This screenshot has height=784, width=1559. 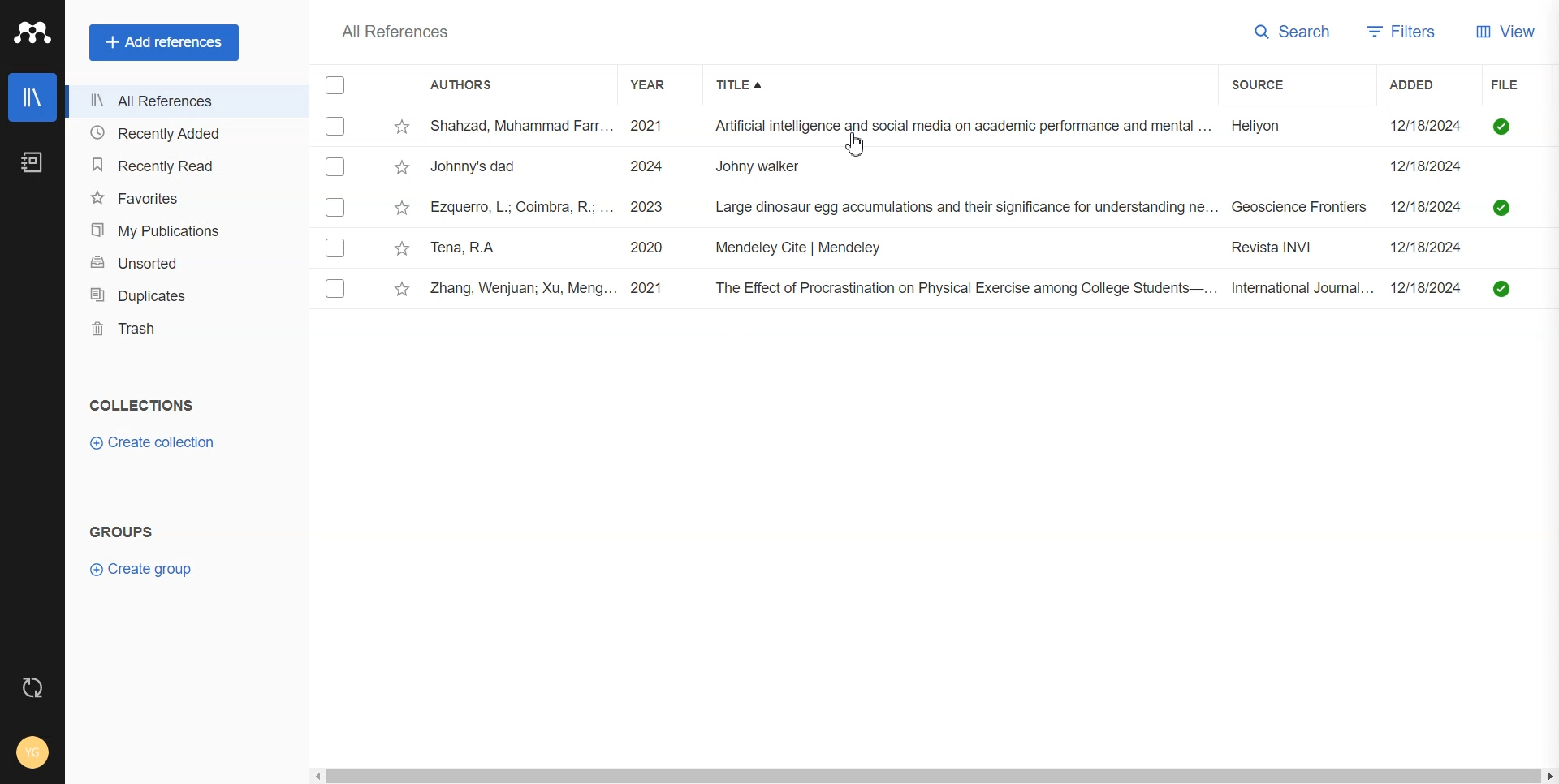 What do you see at coordinates (949, 126) in the screenshot?
I see `- Shahzad, Muhammad Farr... 2021 Artificial intelligence and social media on academic performance and mental ...  Heliyon 12/18/2024` at bounding box center [949, 126].